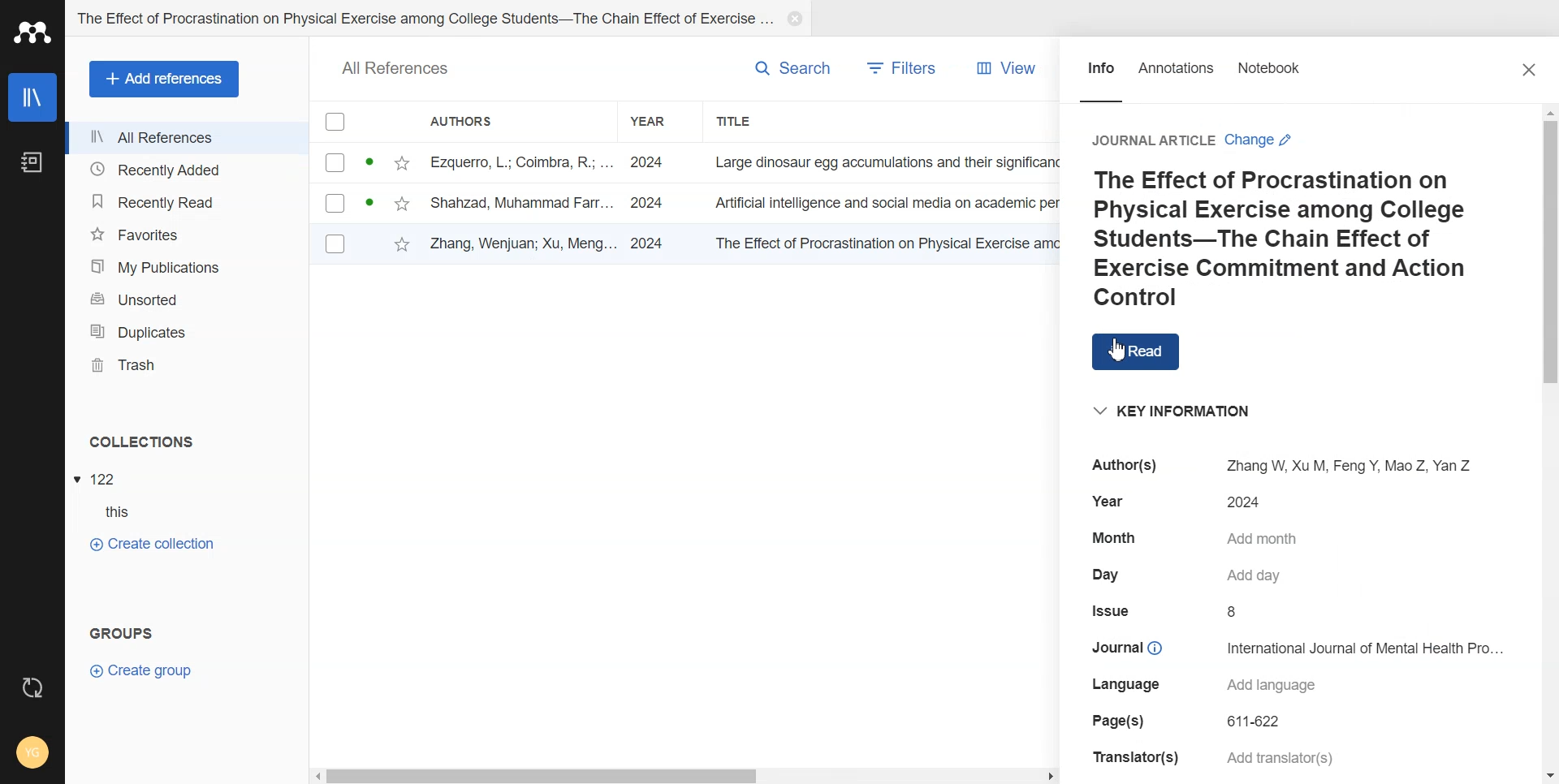  I want to click on All References, so click(188, 137).